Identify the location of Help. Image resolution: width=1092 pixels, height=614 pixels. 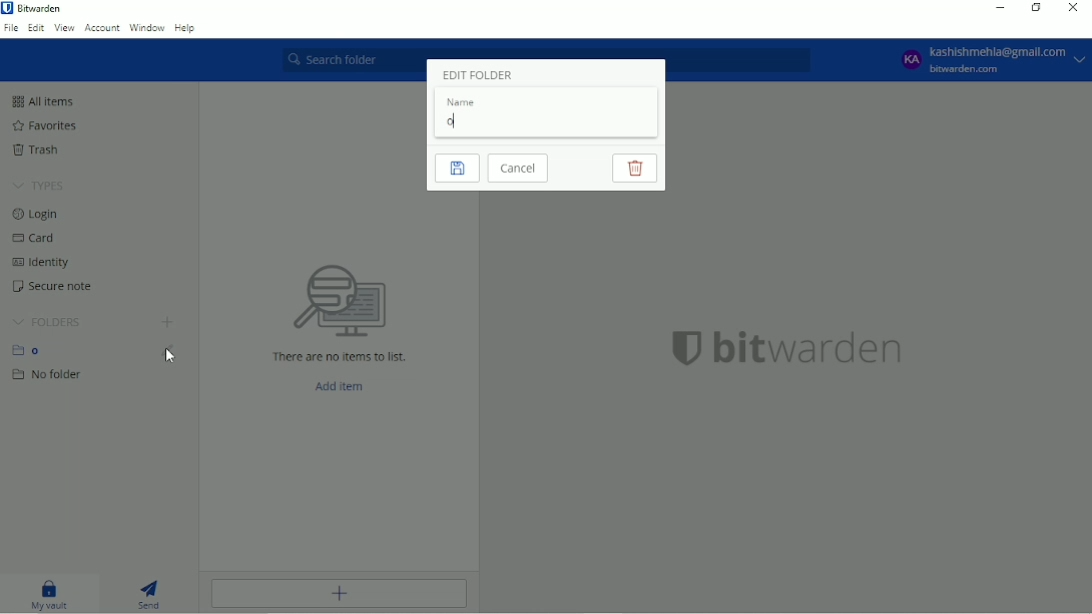
(187, 28).